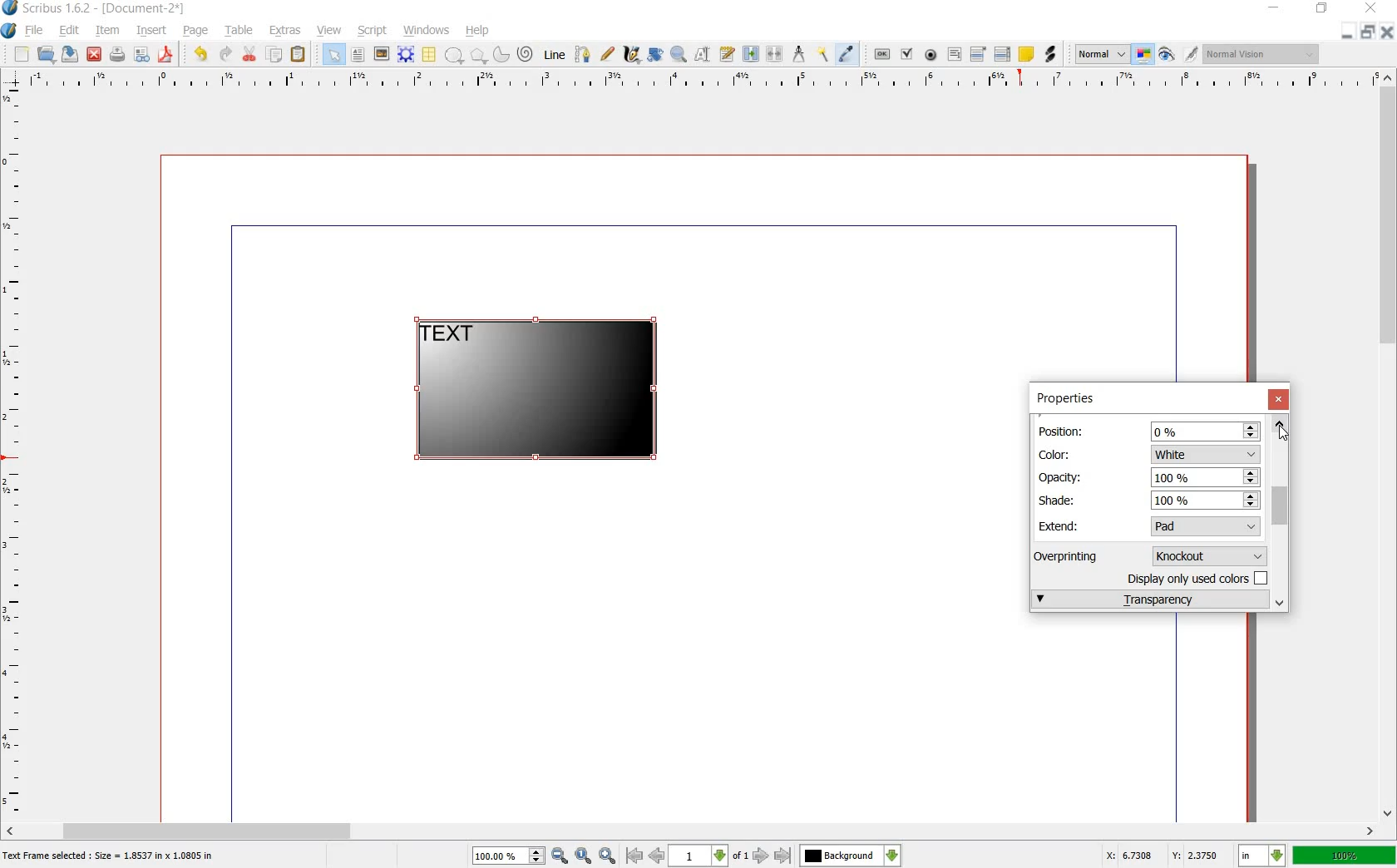 The height and width of the screenshot is (868, 1397). What do you see at coordinates (48, 55) in the screenshot?
I see `open` at bounding box center [48, 55].